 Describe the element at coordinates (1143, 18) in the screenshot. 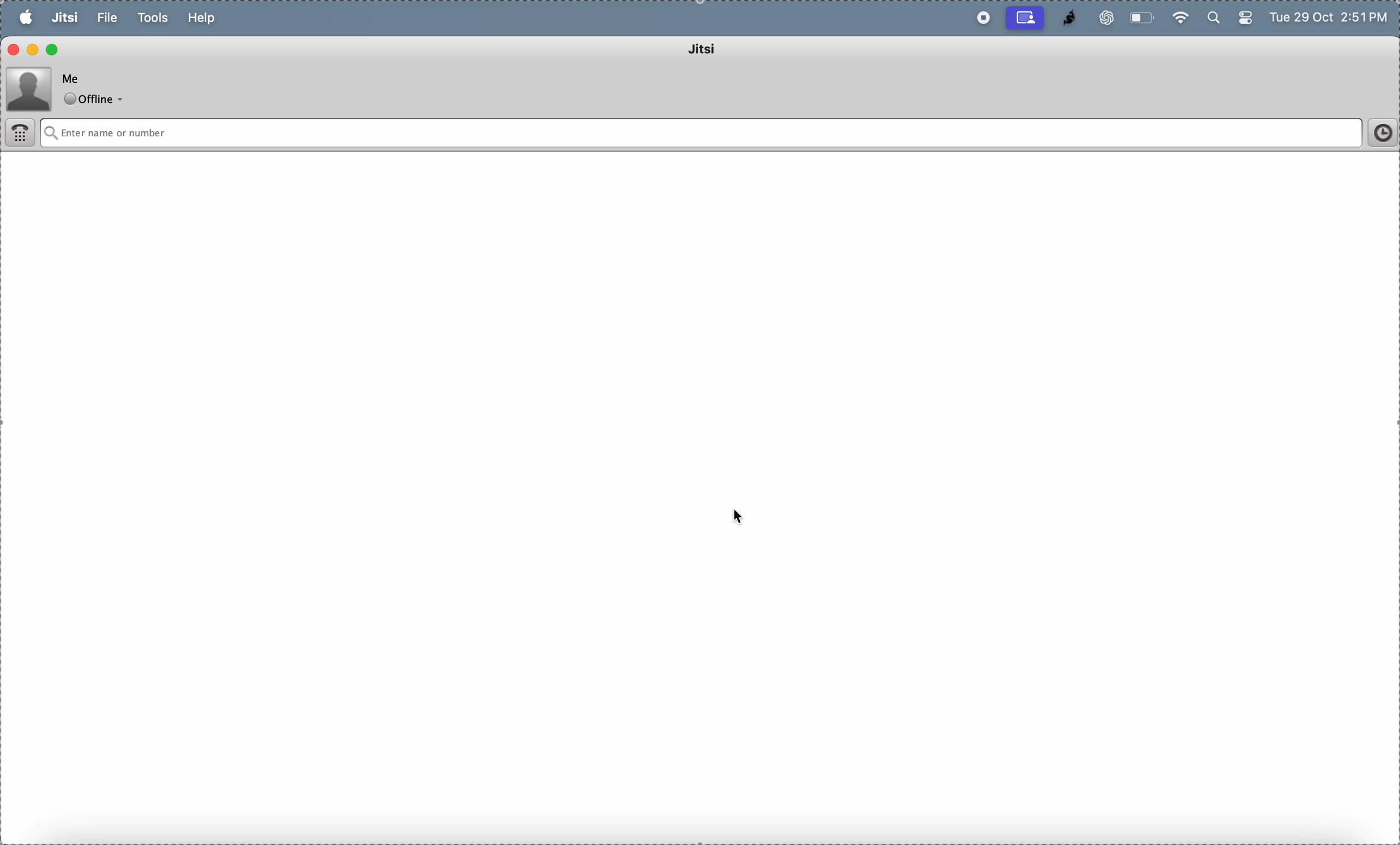

I see `battery` at that location.